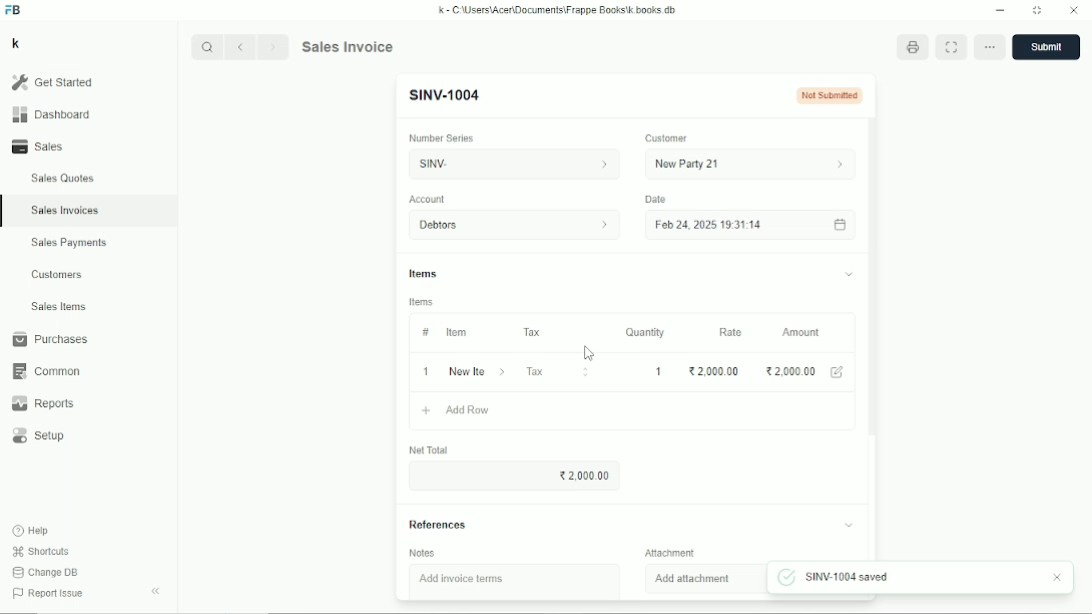  I want to click on Feb 24, 2025 19:31:14, so click(752, 225).